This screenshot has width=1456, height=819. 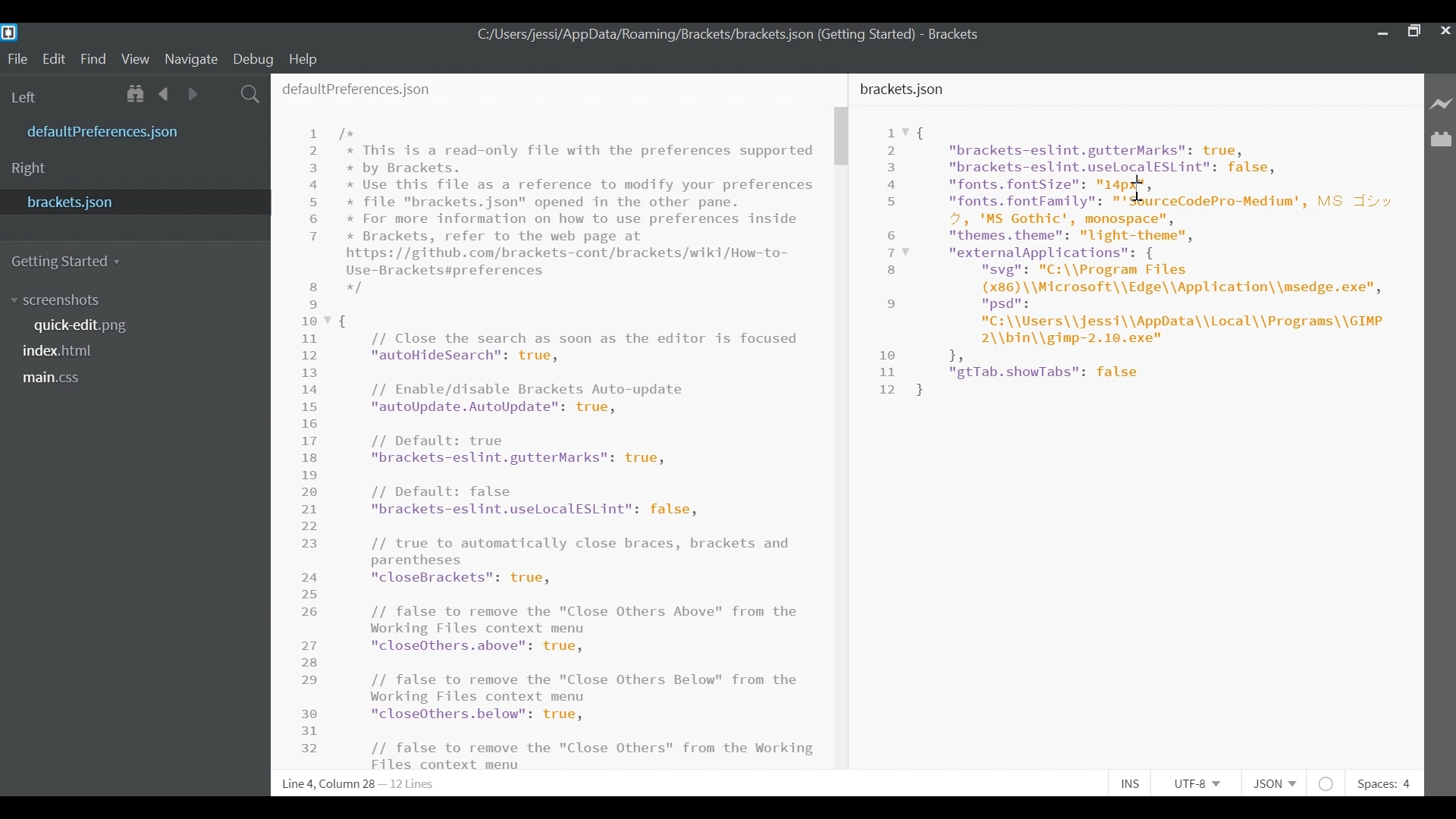 I want to click on cursor, so click(x=1141, y=191).